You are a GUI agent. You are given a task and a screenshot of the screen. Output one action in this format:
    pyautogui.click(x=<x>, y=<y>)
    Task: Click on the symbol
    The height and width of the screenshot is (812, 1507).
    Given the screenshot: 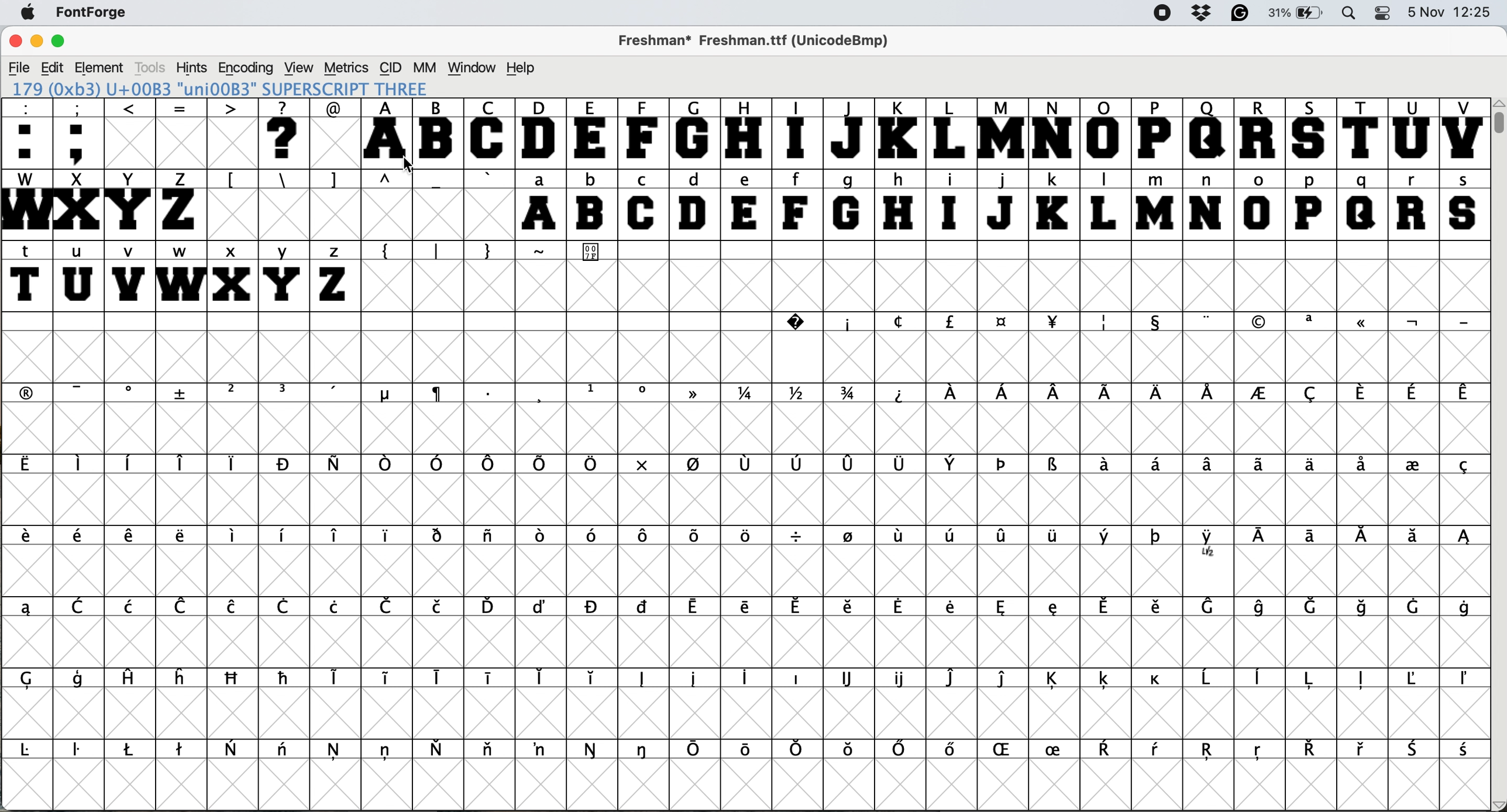 What is the action you would take?
    pyautogui.click(x=26, y=607)
    